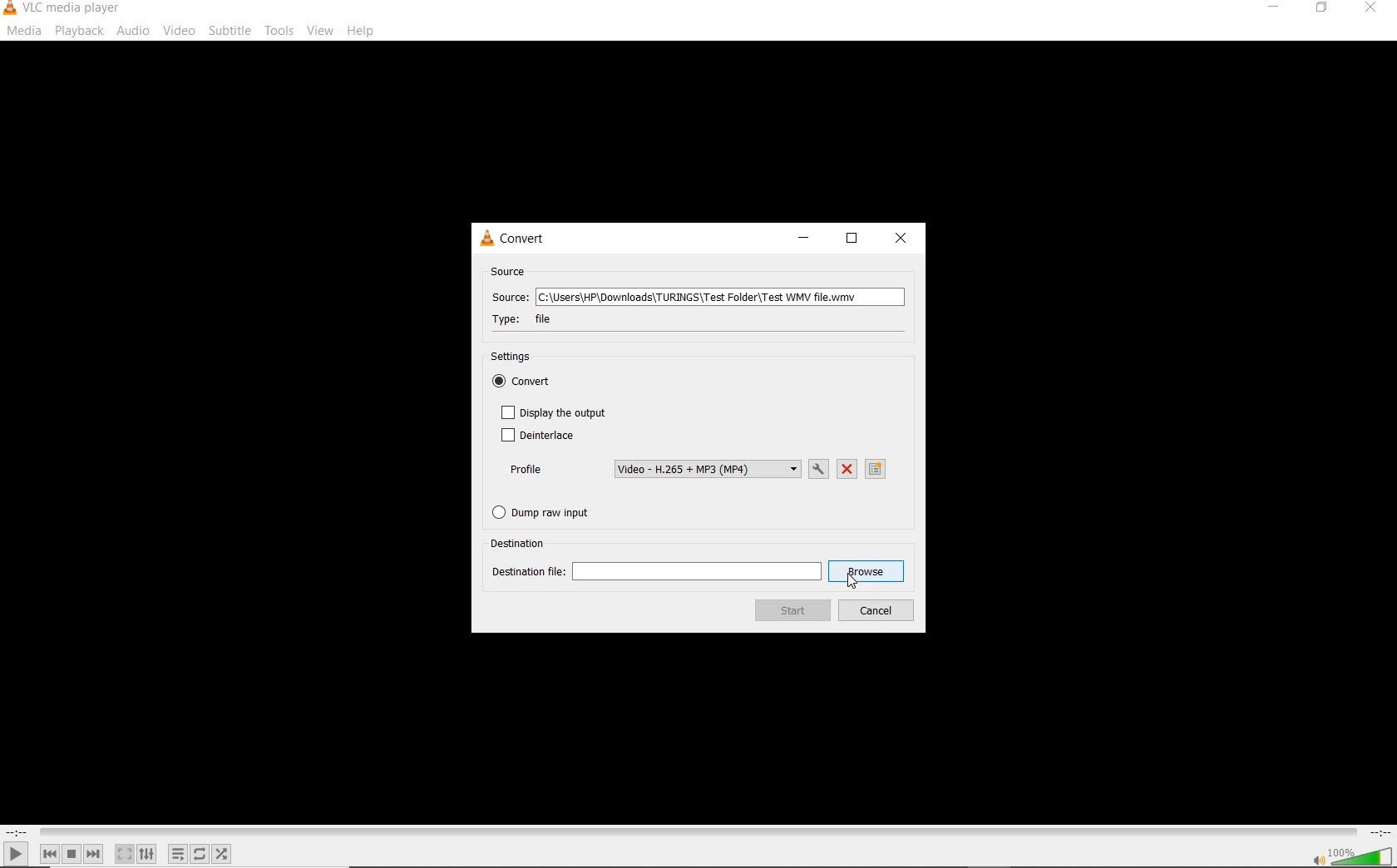  I want to click on browse, so click(866, 572).